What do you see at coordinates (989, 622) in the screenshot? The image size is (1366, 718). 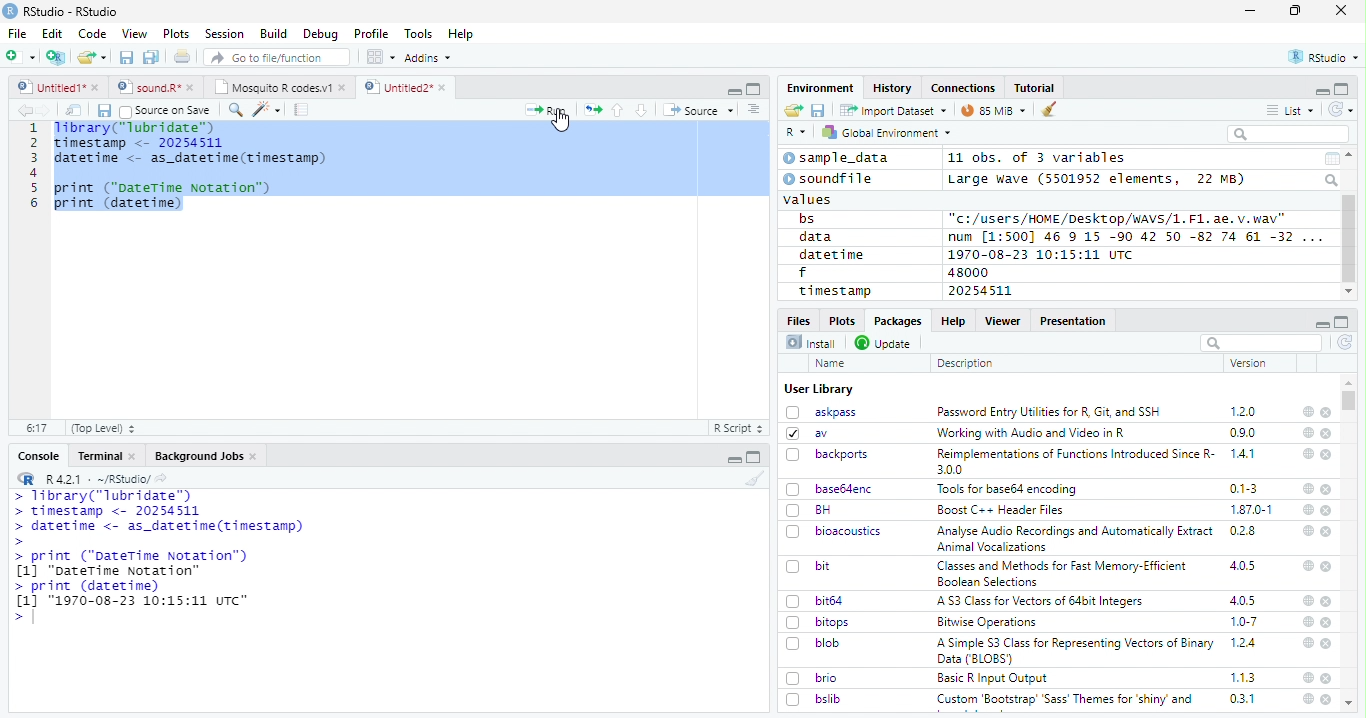 I see `Bitwise Operations` at bounding box center [989, 622].